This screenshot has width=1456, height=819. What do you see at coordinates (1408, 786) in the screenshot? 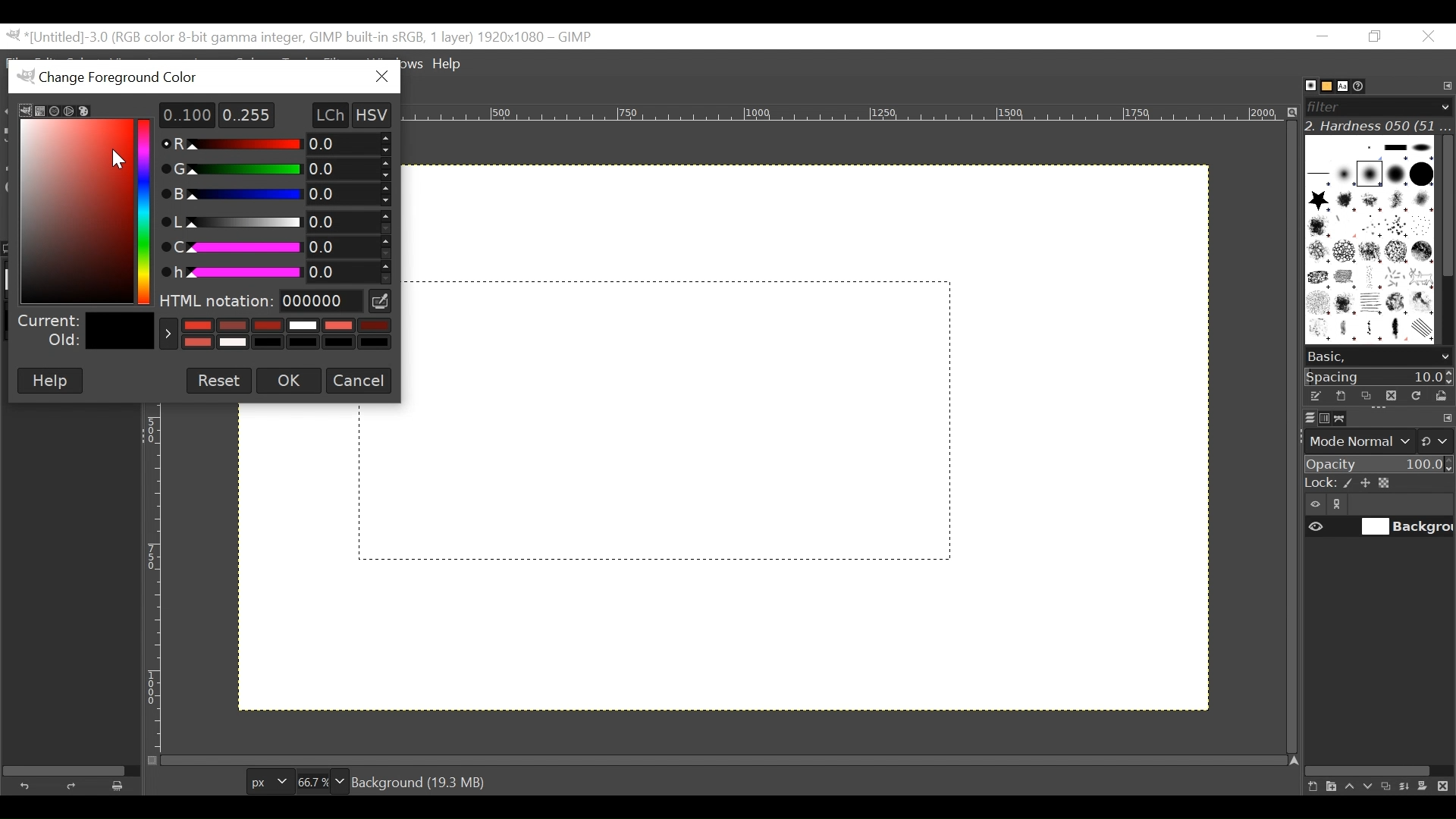
I see `merge the layer` at bounding box center [1408, 786].